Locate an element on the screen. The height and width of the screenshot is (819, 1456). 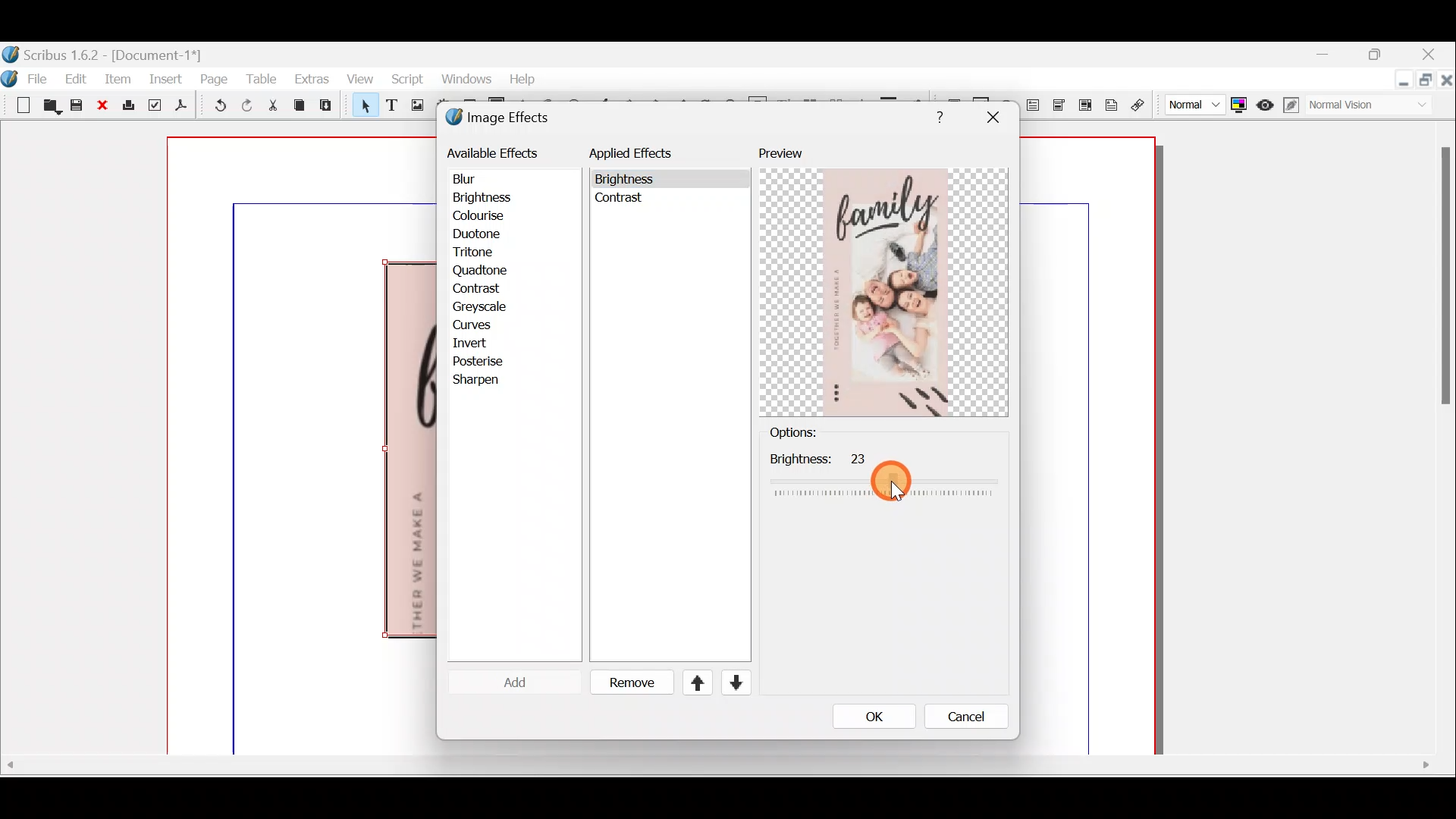
Options is located at coordinates (818, 433).